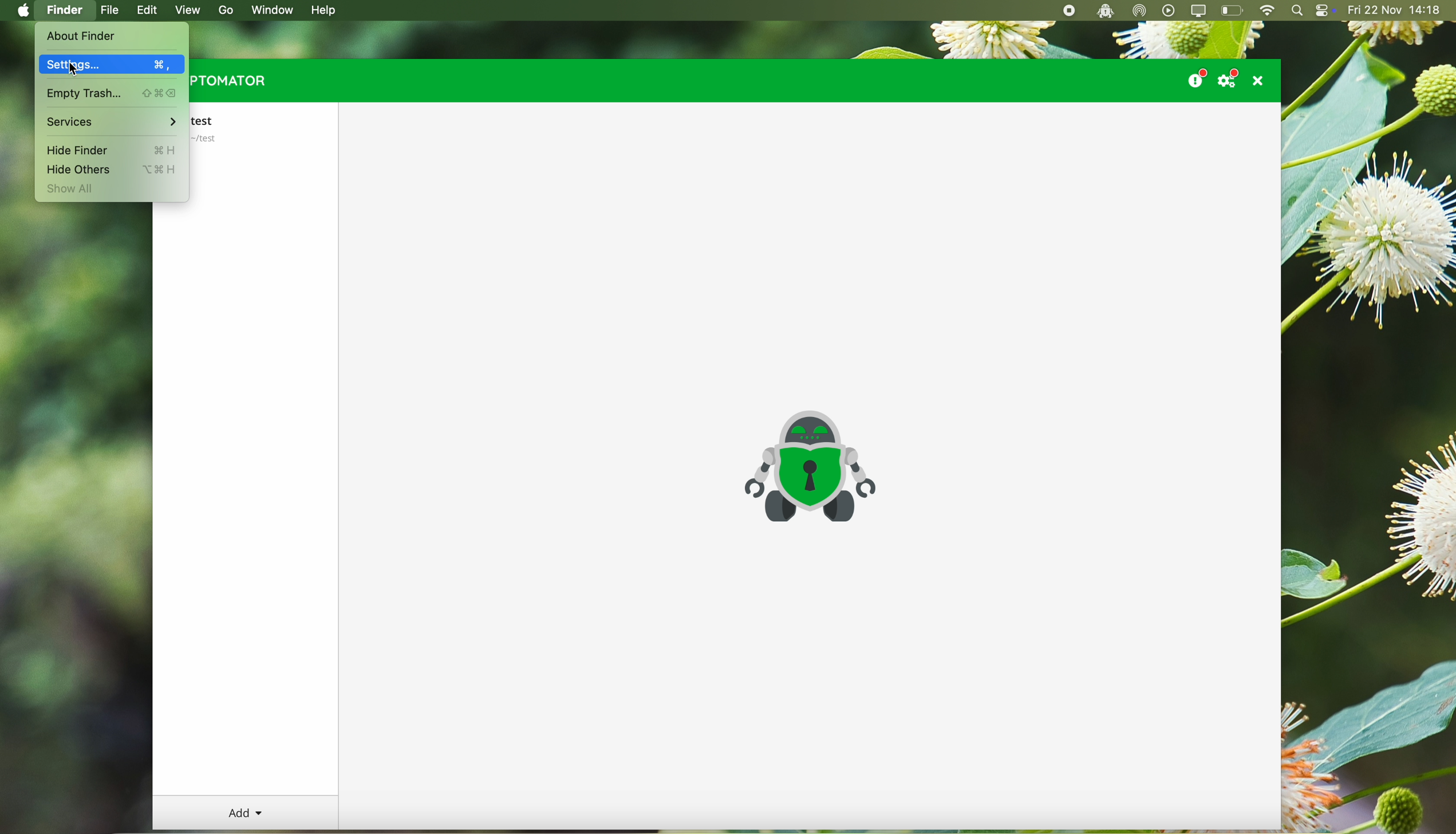 This screenshot has height=834, width=1456. I want to click on cryptomator open, so click(1103, 11).